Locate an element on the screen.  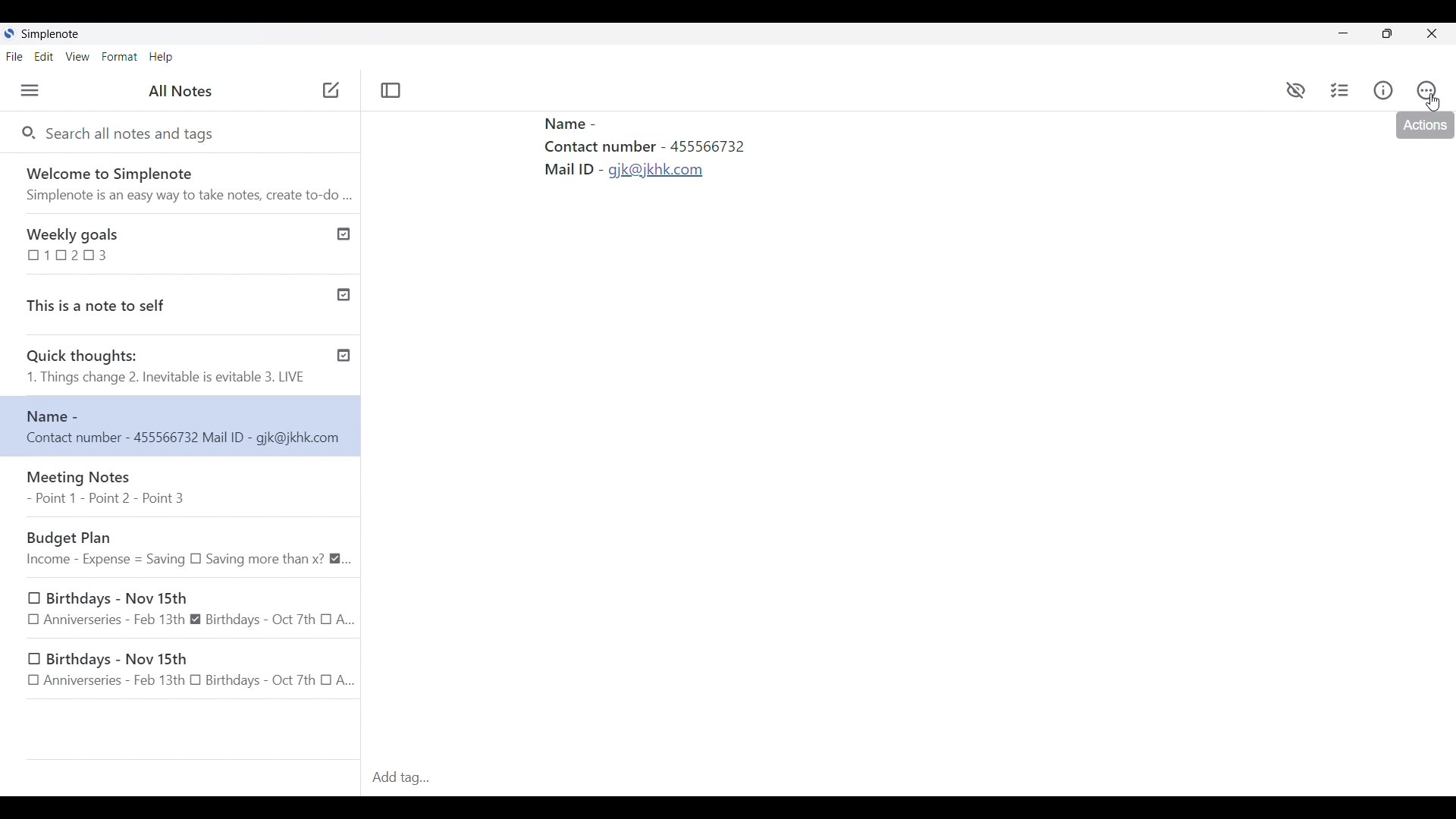
Quick thoughts: 1. Things change 2. Inevitable is evitable 3. LIVE is located at coordinates (165, 368).